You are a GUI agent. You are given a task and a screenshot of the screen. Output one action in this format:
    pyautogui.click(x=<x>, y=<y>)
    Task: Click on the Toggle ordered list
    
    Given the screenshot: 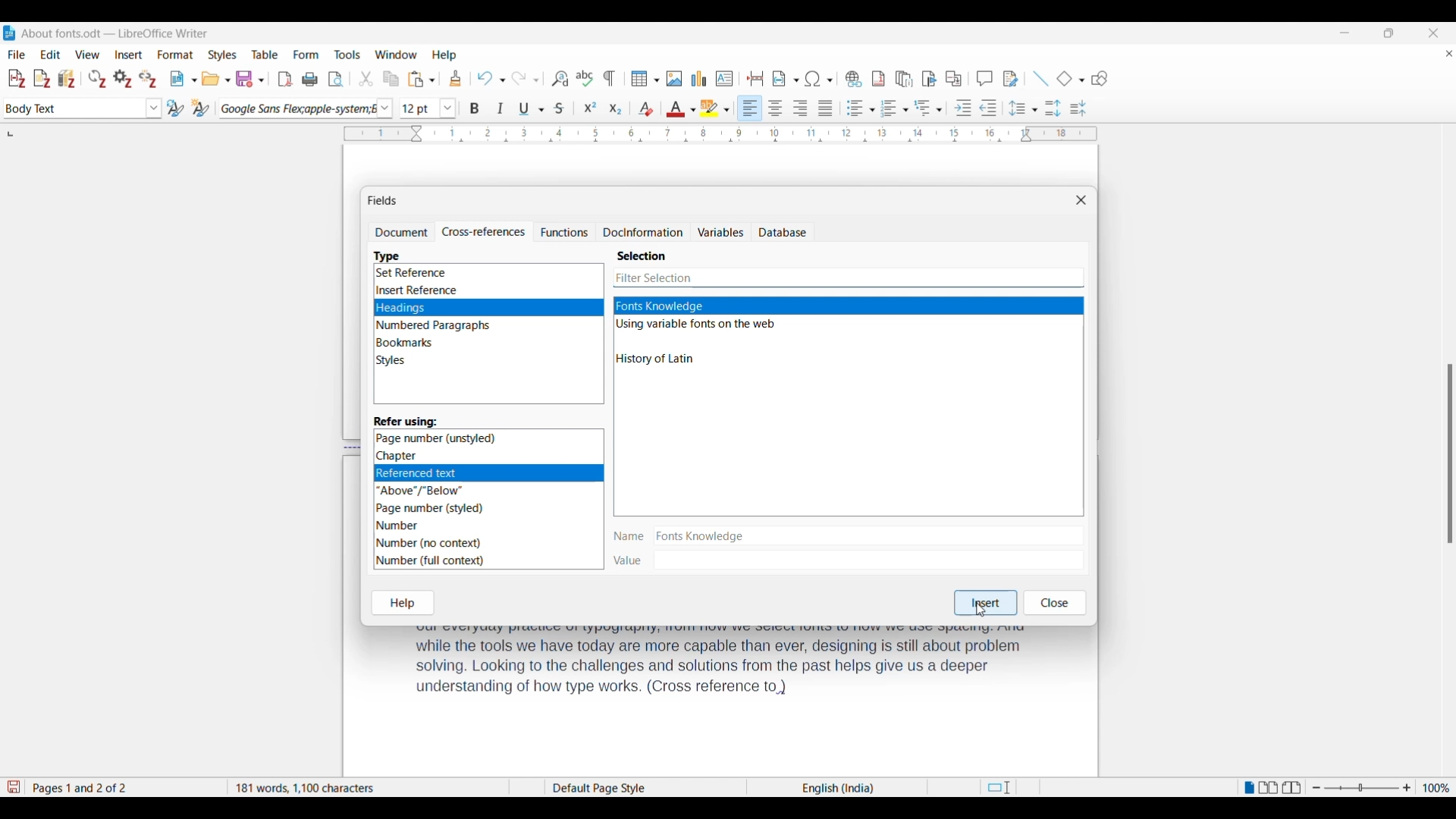 What is the action you would take?
    pyautogui.click(x=894, y=108)
    